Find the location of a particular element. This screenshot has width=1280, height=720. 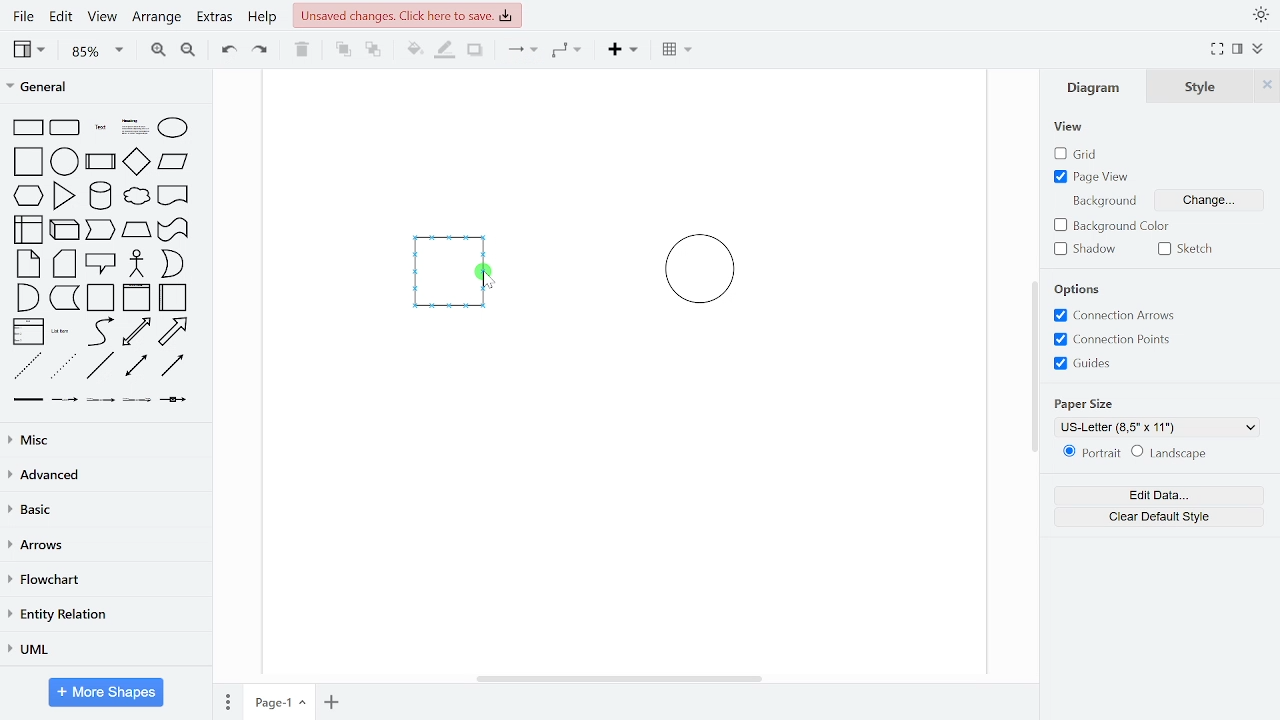

edit is located at coordinates (60, 18).